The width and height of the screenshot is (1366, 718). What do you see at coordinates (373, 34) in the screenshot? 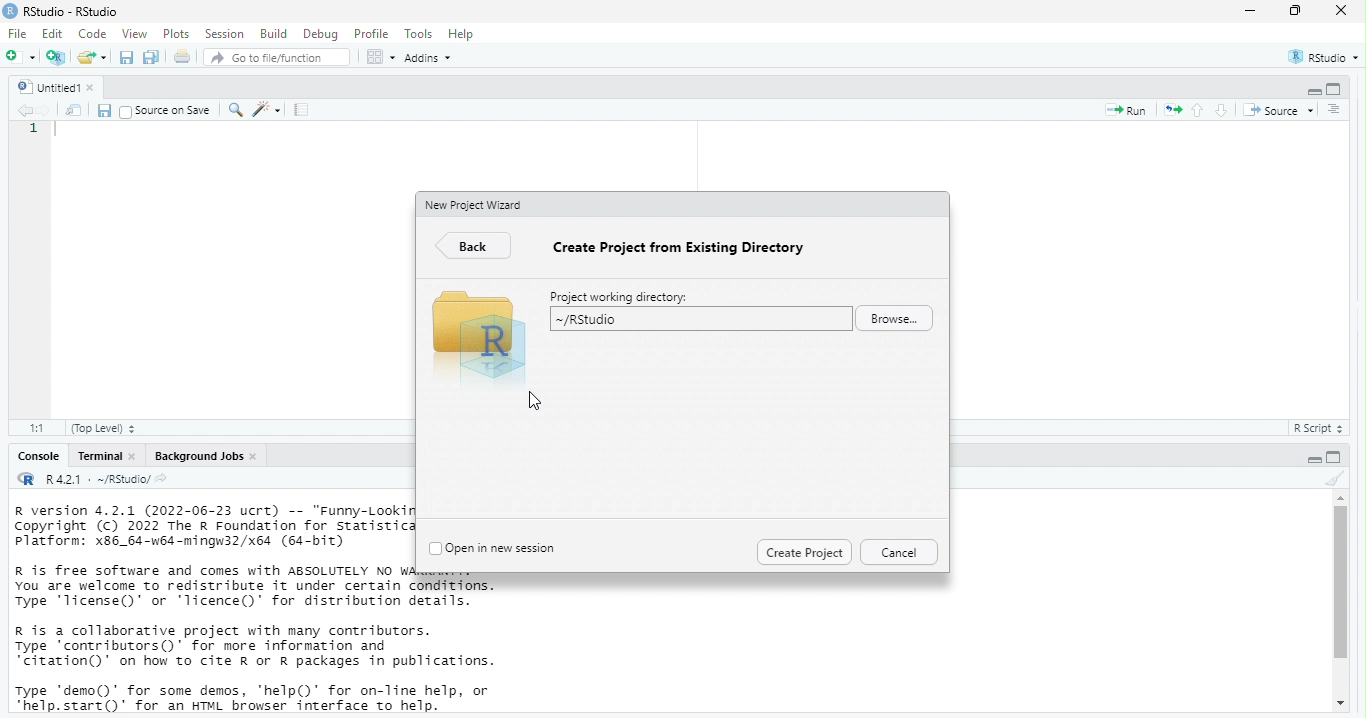
I see `profile` at bounding box center [373, 34].